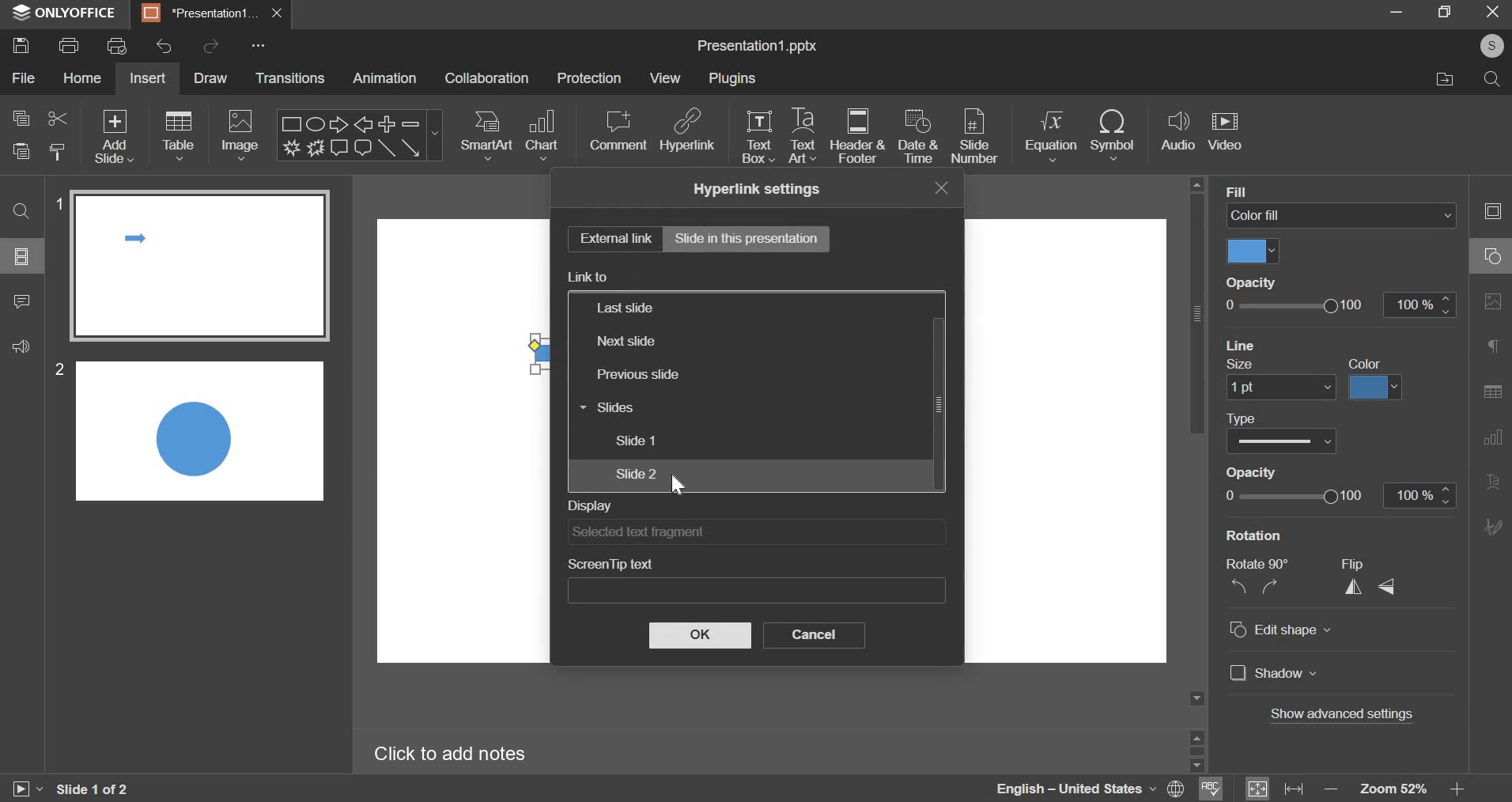  Describe the element at coordinates (70, 45) in the screenshot. I see `print` at that location.